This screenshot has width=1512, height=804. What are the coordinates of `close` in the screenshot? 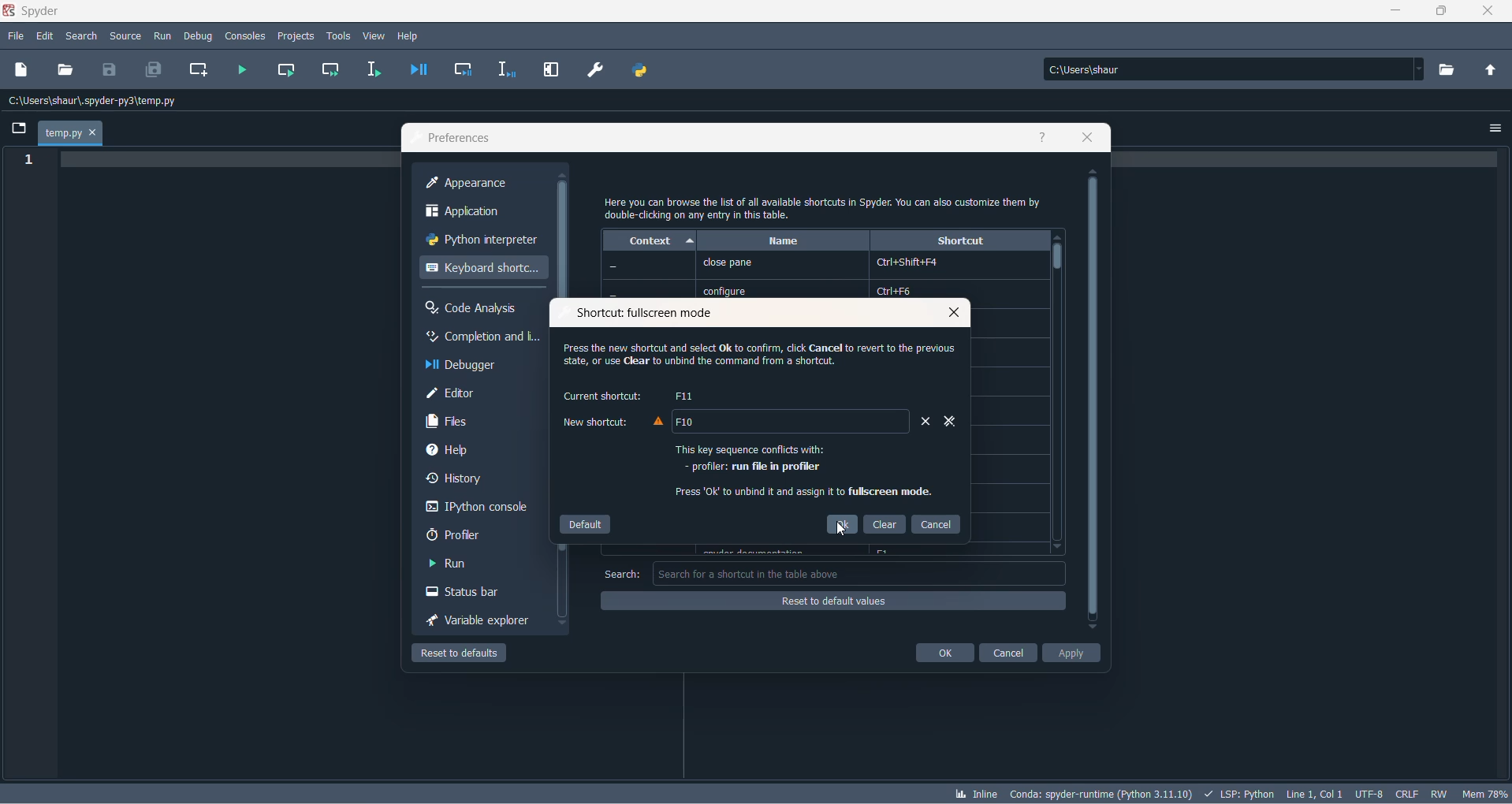 It's located at (1089, 139).